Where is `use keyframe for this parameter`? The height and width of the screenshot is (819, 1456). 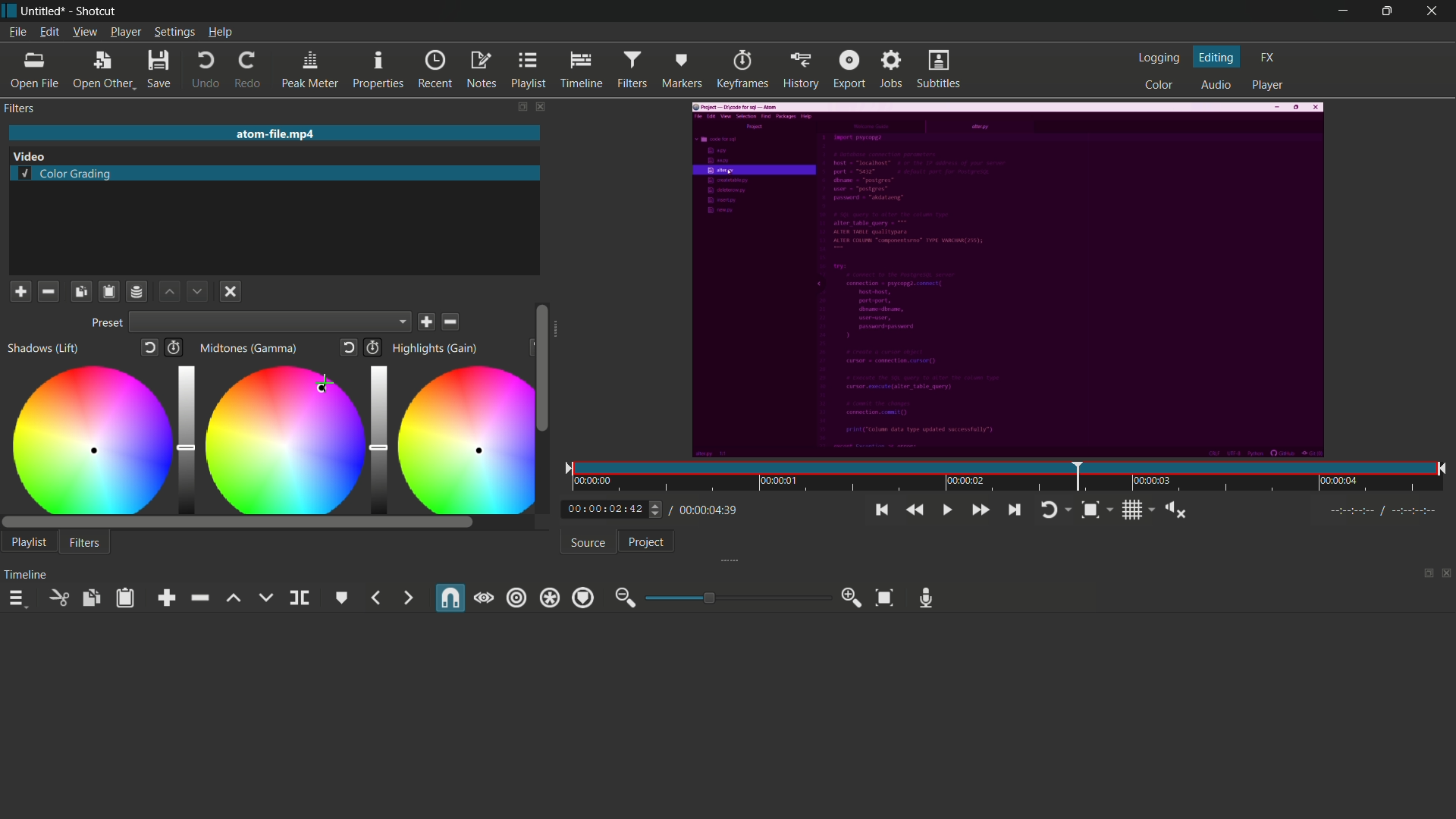 use keyframe for this parameter is located at coordinates (372, 347).